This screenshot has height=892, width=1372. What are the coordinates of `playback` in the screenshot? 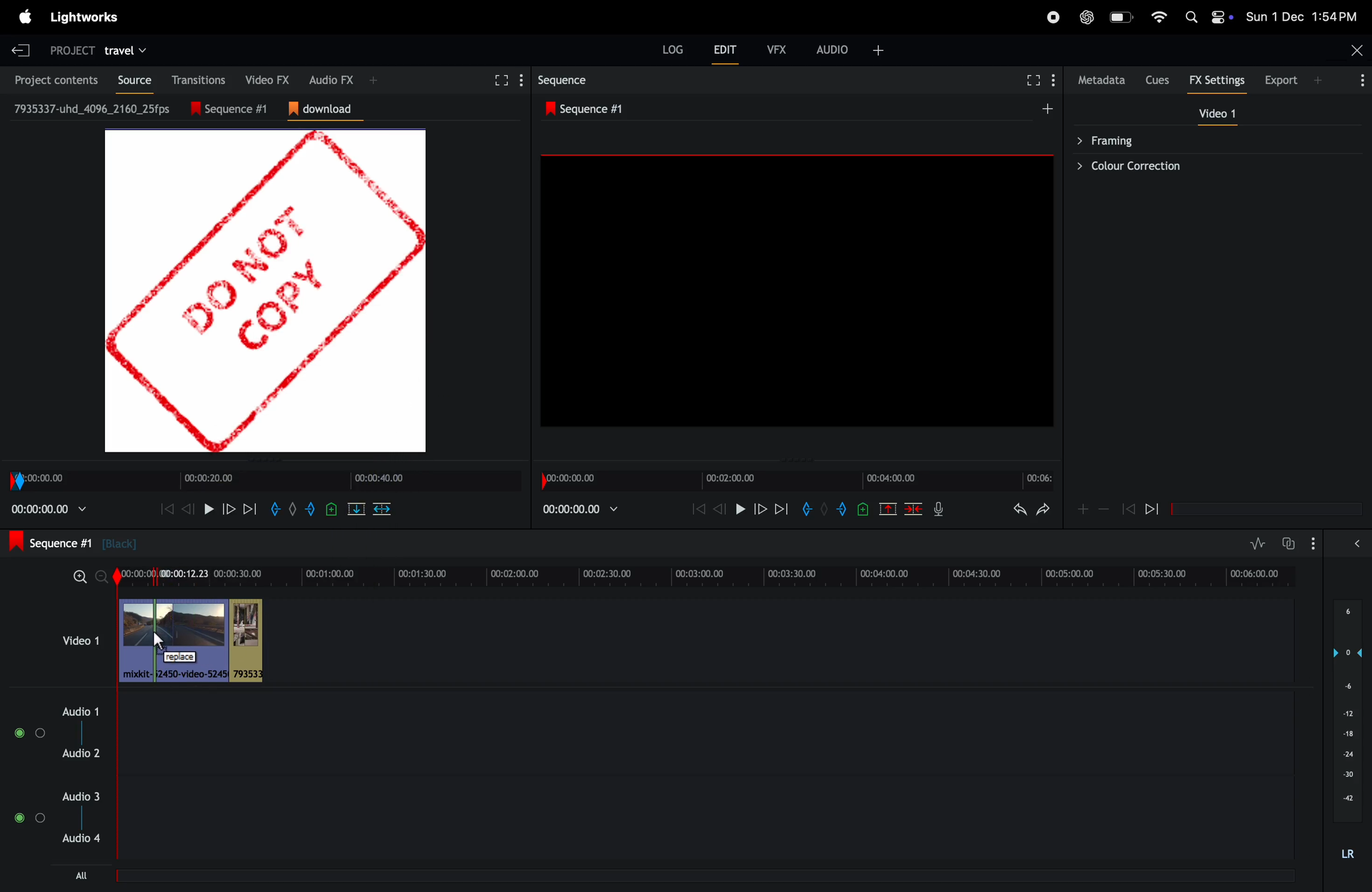 It's located at (49, 509).